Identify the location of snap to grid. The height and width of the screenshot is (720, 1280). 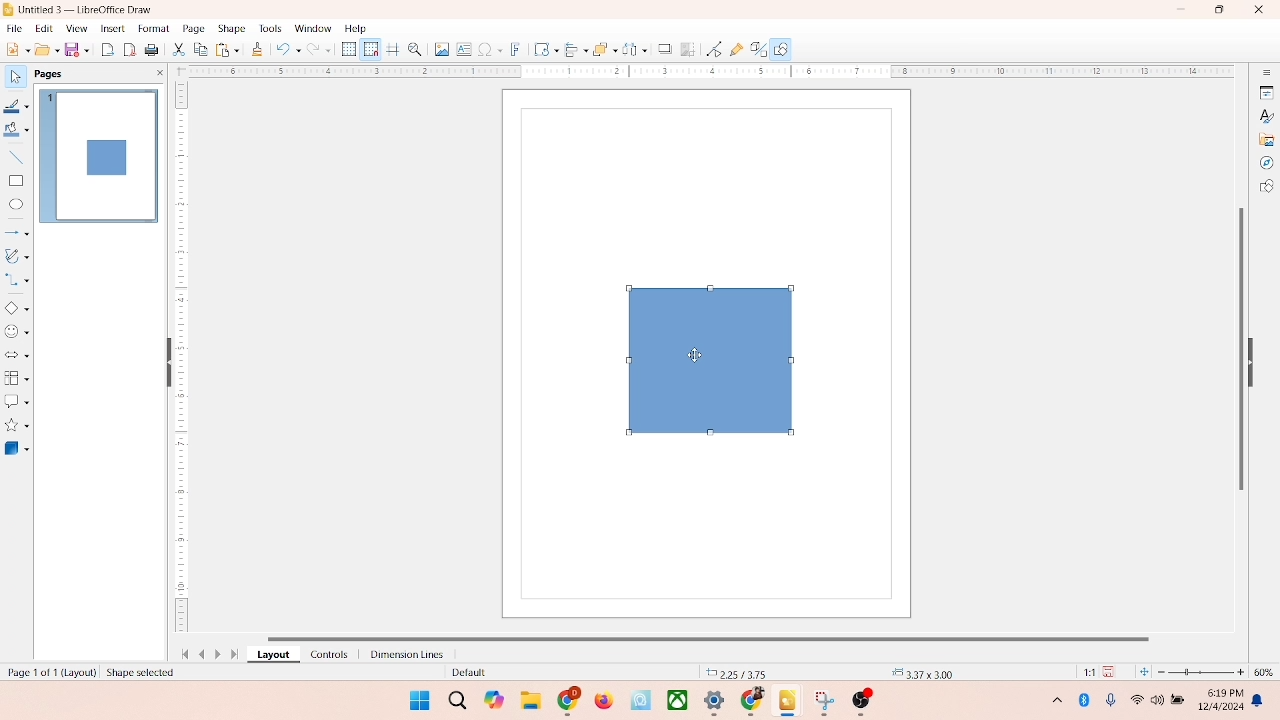
(368, 49).